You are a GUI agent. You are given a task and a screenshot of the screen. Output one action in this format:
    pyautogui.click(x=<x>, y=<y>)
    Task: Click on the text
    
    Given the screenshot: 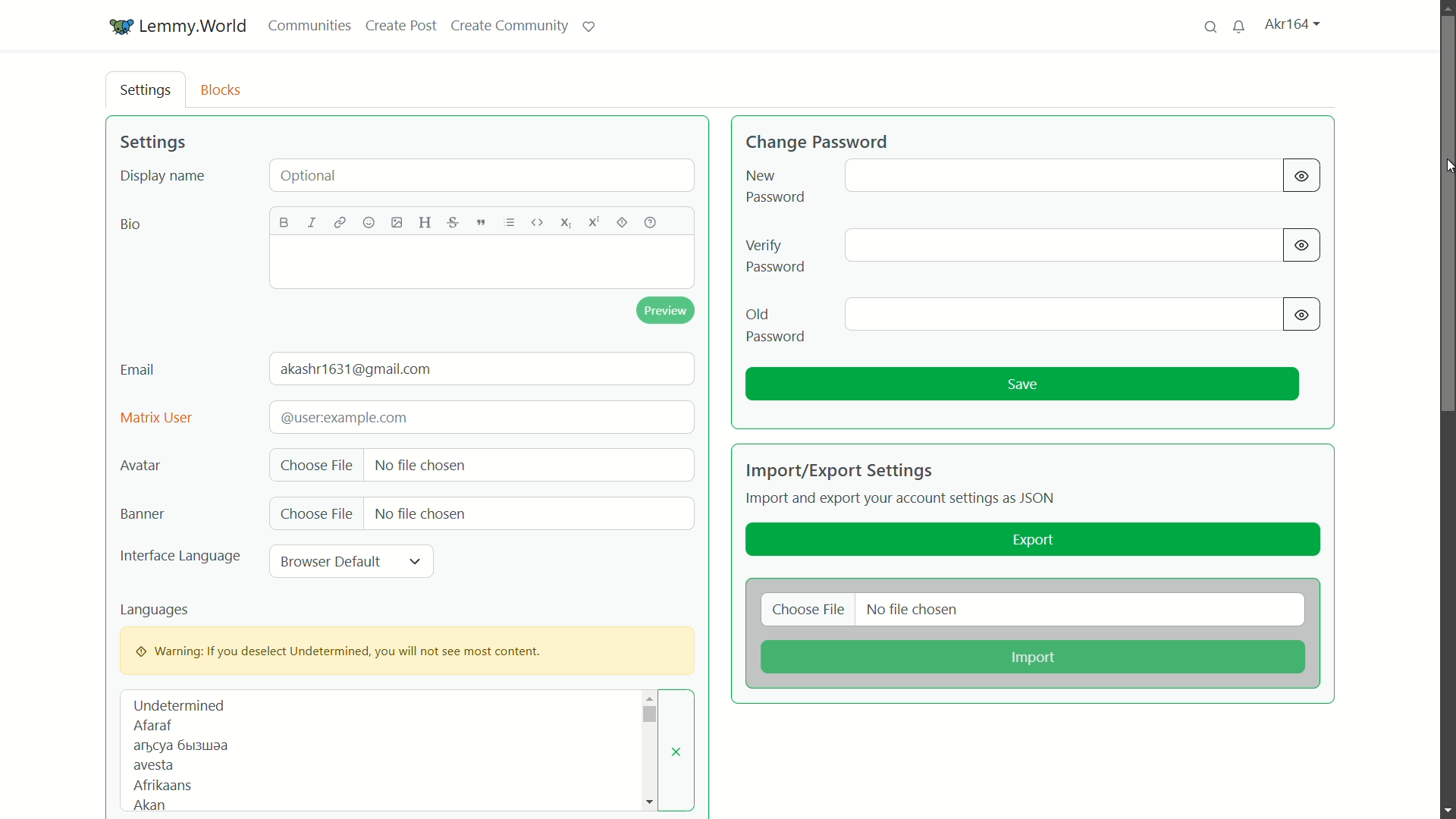 What is the action you would take?
    pyautogui.click(x=179, y=747)
    